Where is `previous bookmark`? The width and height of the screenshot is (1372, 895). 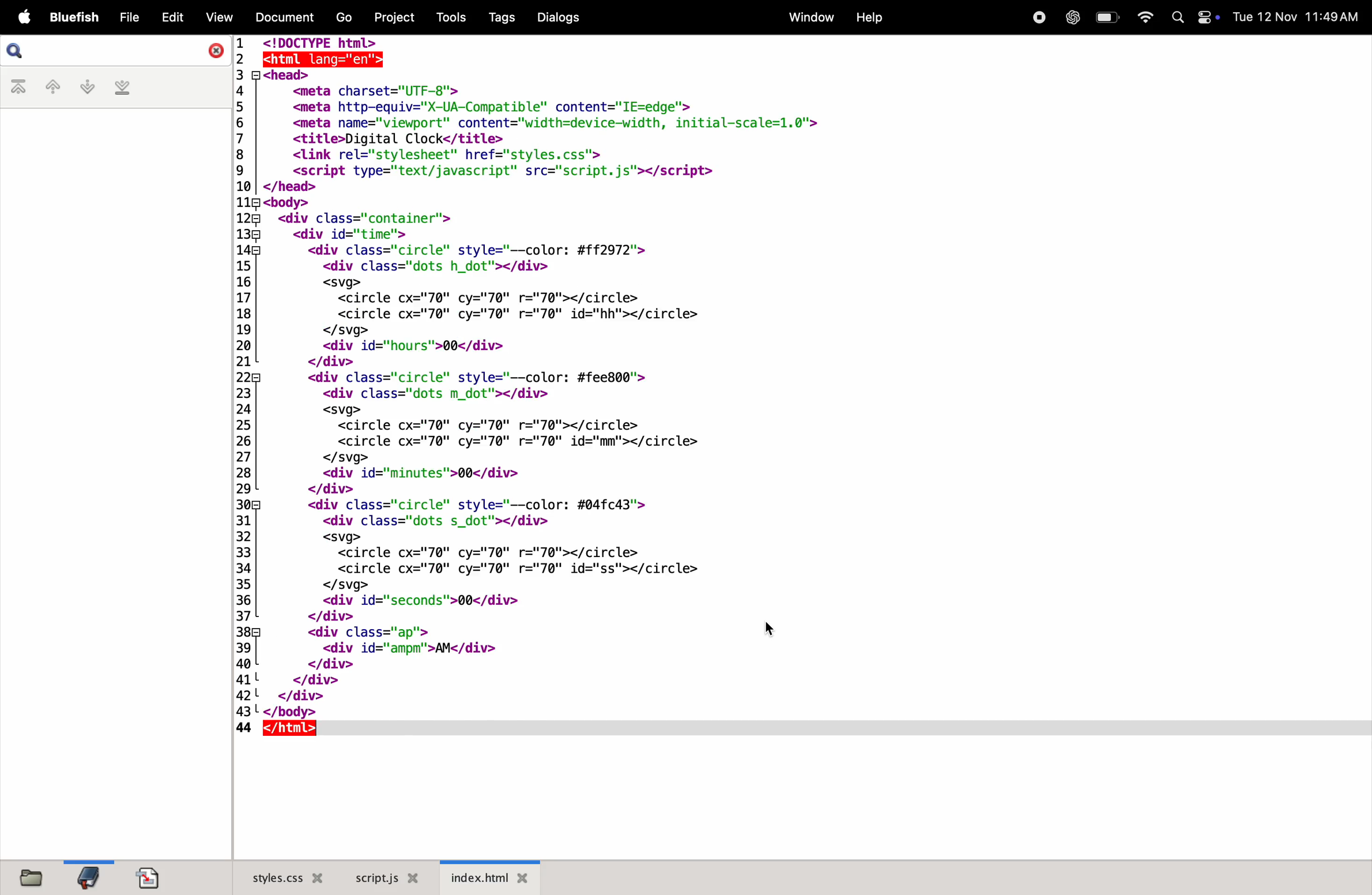 previous bookmark is located at coordinates (54, 85).